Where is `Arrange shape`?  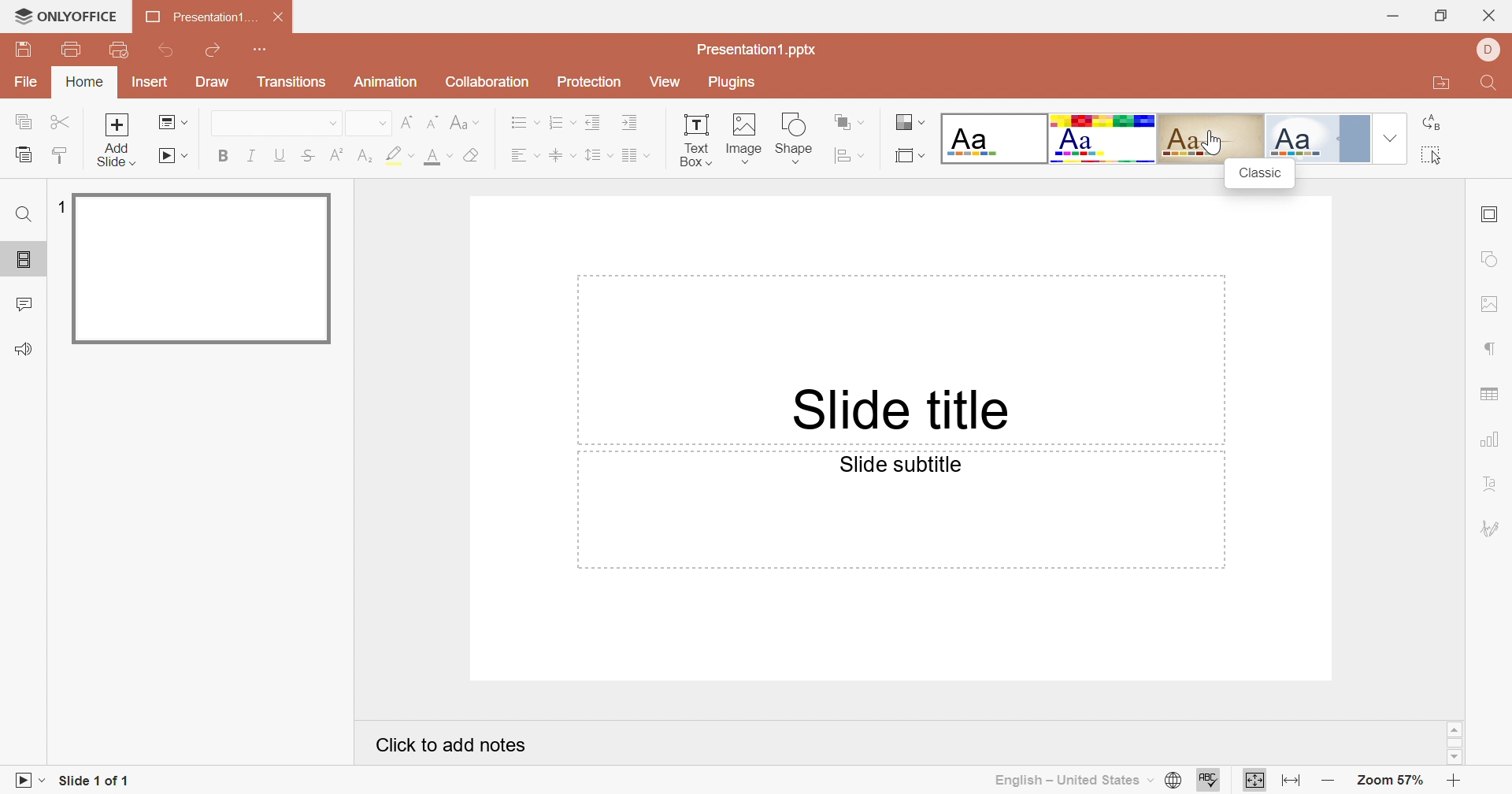 Arrange shape is located at coordinates (842, 121).